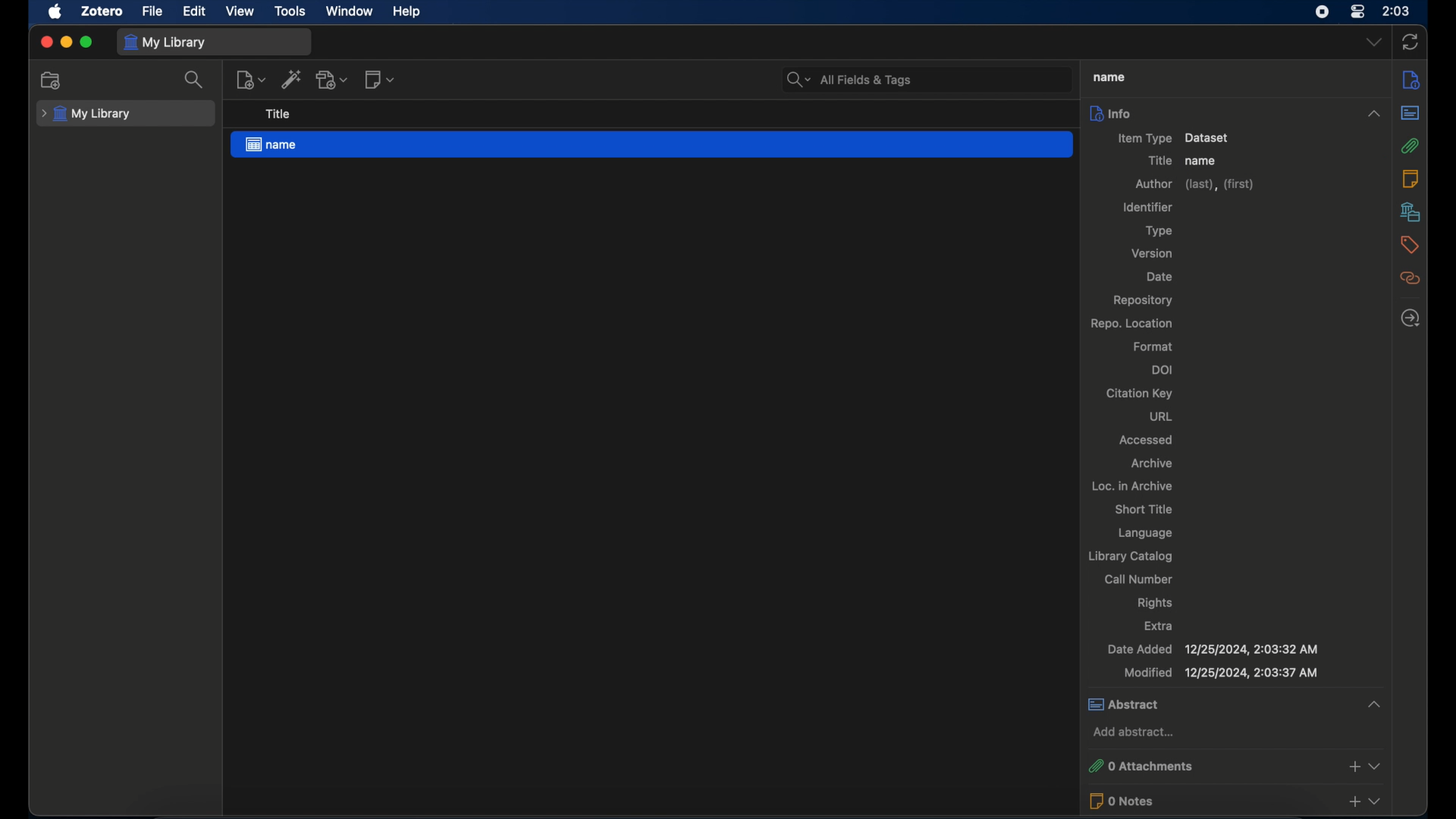 The image size is (1456, 819). Describe the element at coordinates (1163, 369) in the screenshot. I see `doi` at that location.